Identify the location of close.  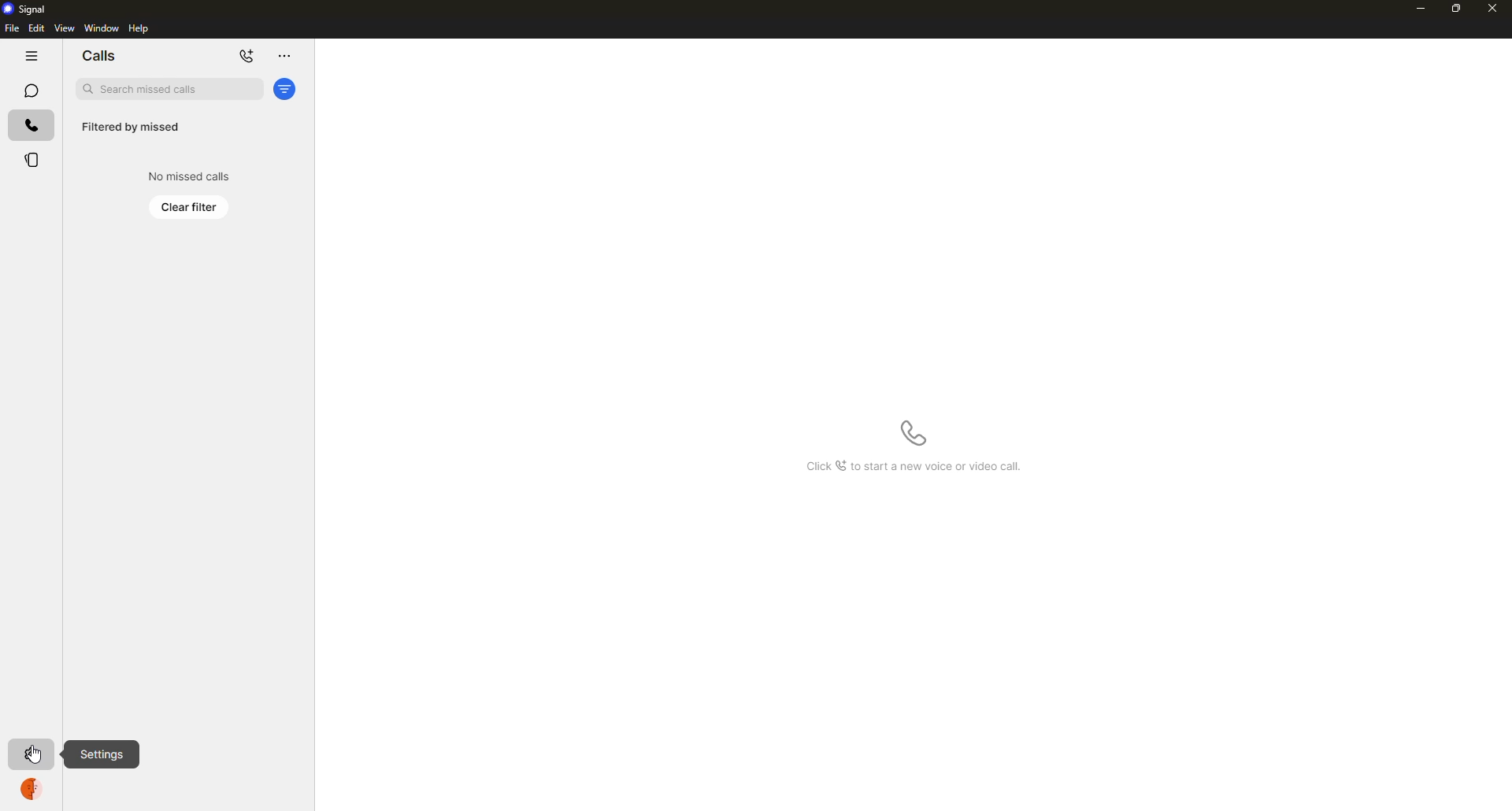
(1494, 9).